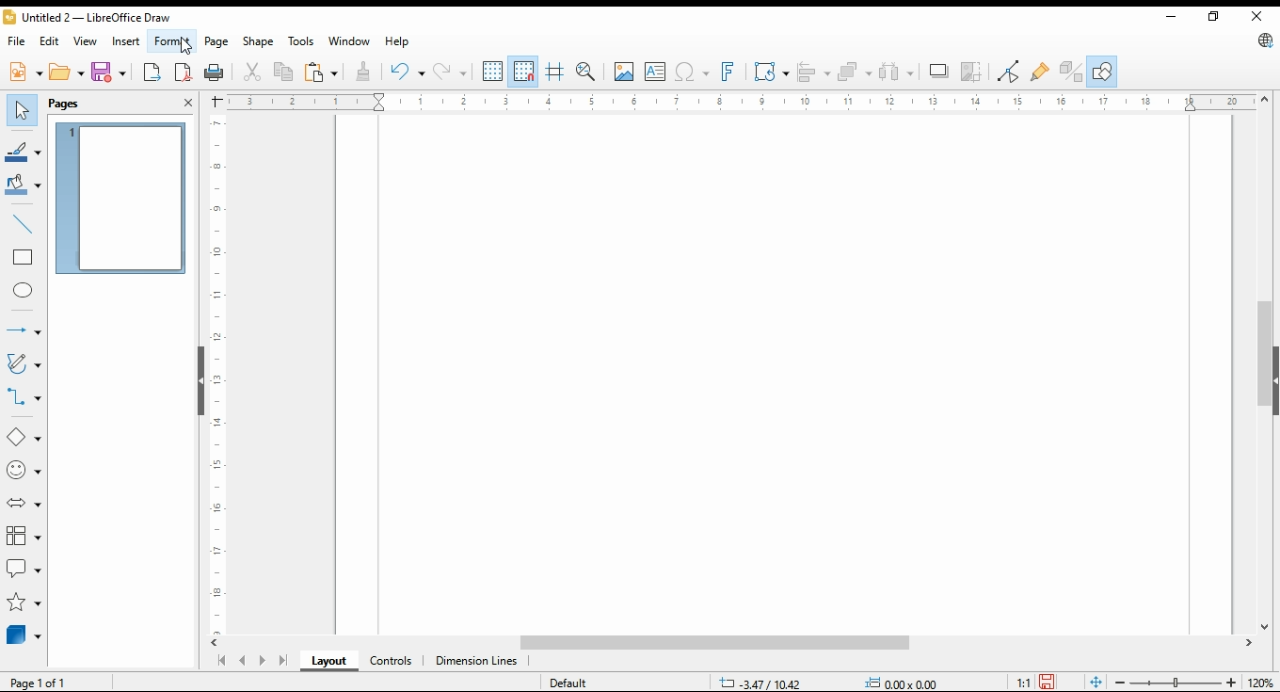 Image resolution: width=1280 pixels, height=692 pixels. What do you see at coordinates (25, 436) in the screenshot?
I see `simple shapes` at bounding box center [25, 436].